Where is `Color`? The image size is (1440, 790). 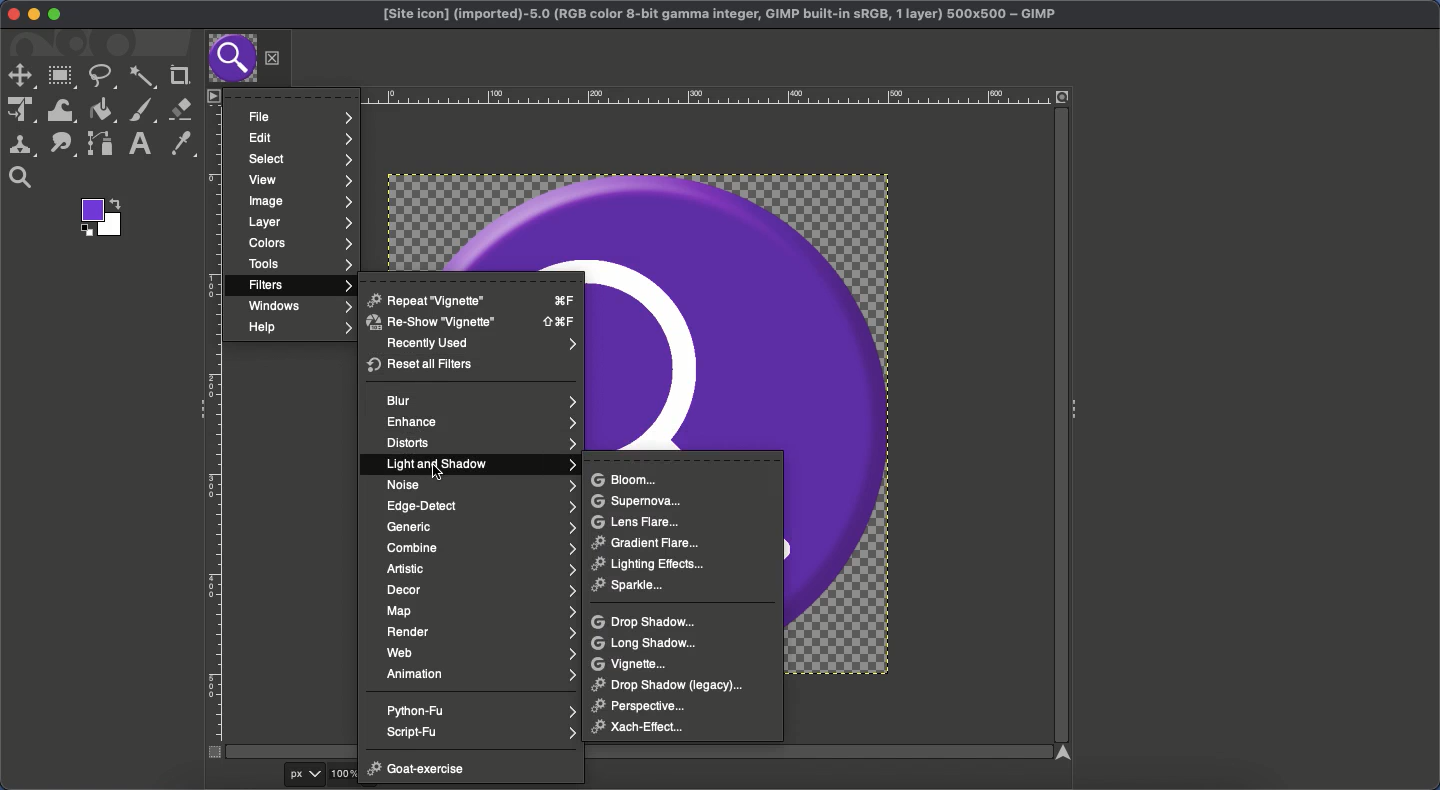
Color is located at coordinates (99, 217).